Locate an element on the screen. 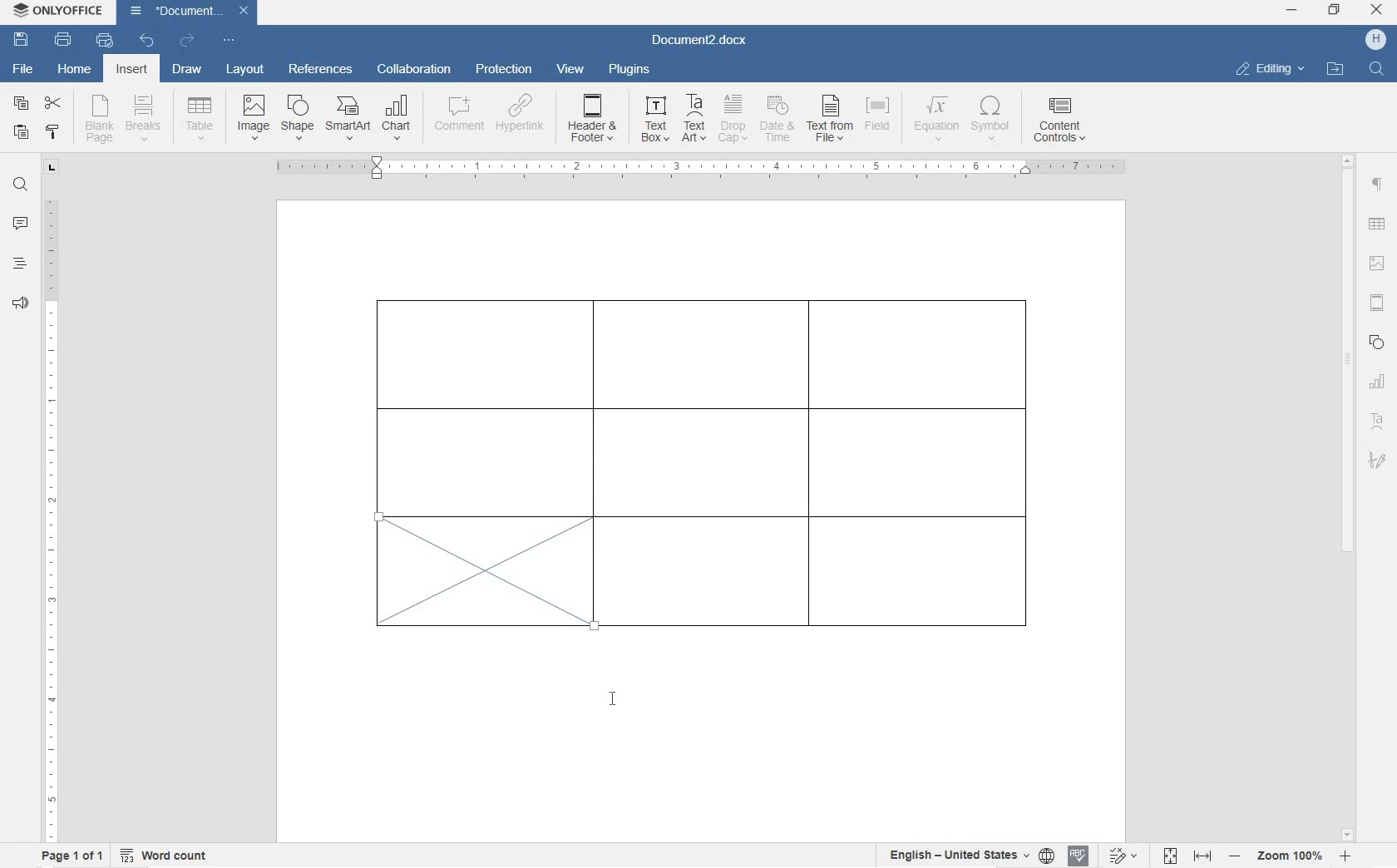 Image resolution: width=1397 pixels, height=868 pixels. tab is located at coordinates (53, 170).